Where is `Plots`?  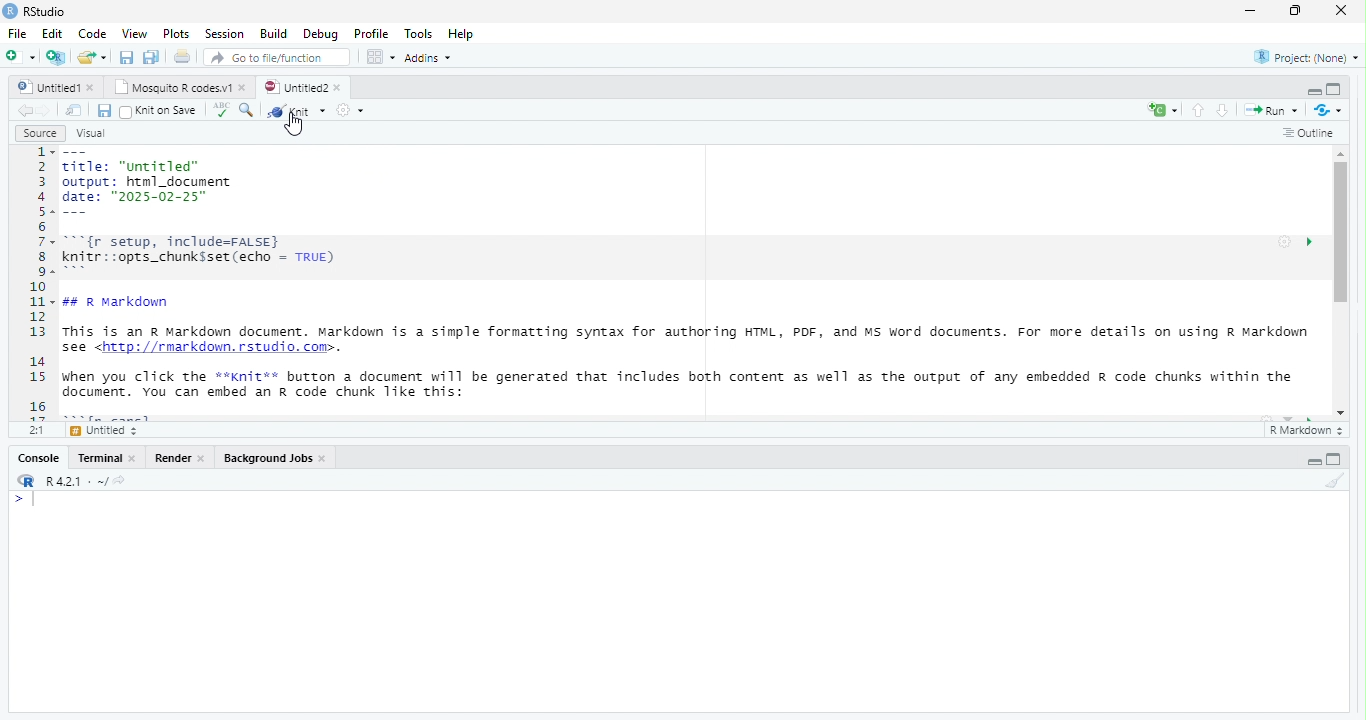
Plots is located at coordinates (178, 35).